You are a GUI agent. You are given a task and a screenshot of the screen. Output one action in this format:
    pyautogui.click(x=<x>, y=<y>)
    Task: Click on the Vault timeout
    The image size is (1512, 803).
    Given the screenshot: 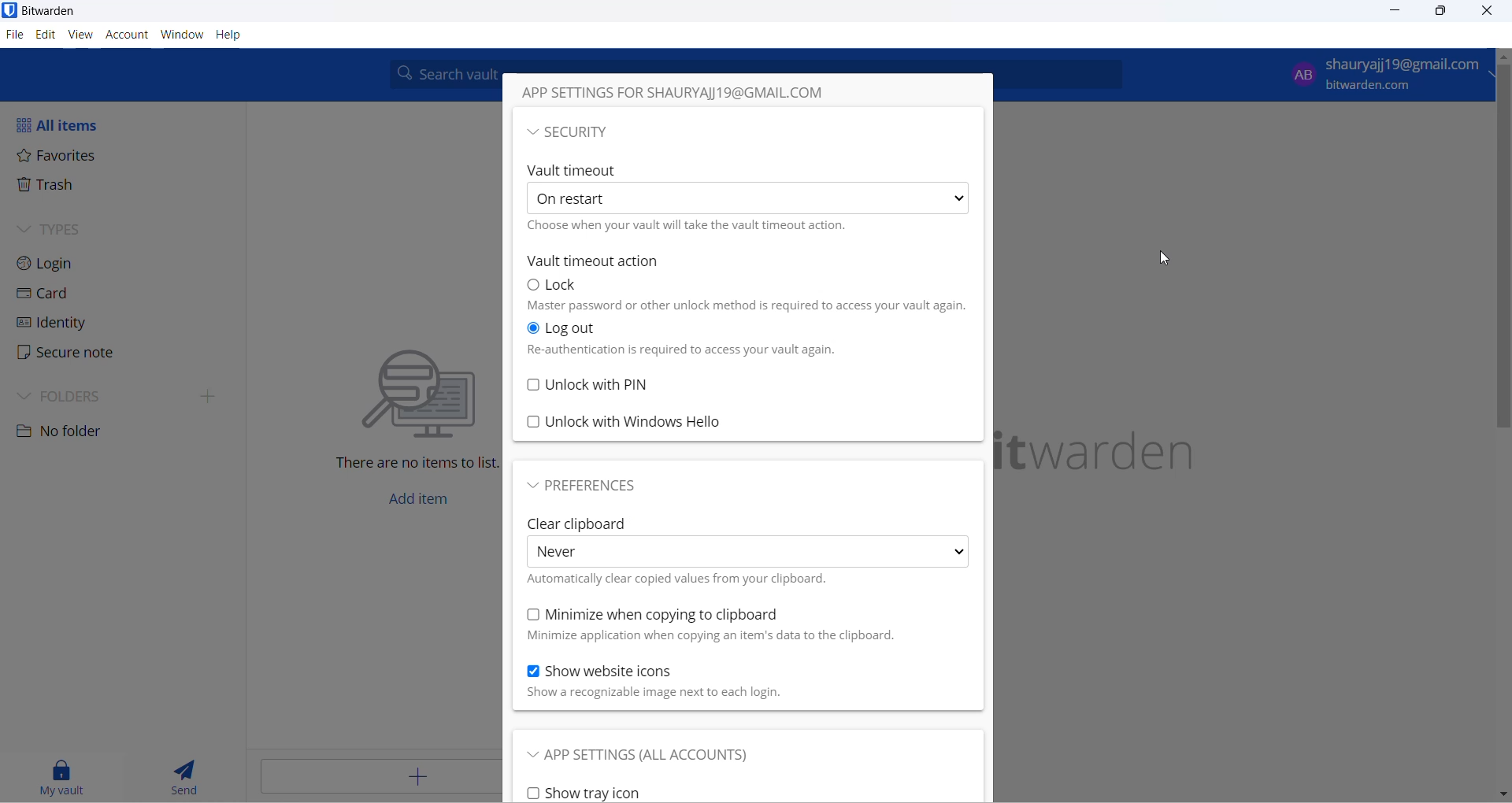 What is the action you would take?
    pyautogui.click(x=573, y=168)
    